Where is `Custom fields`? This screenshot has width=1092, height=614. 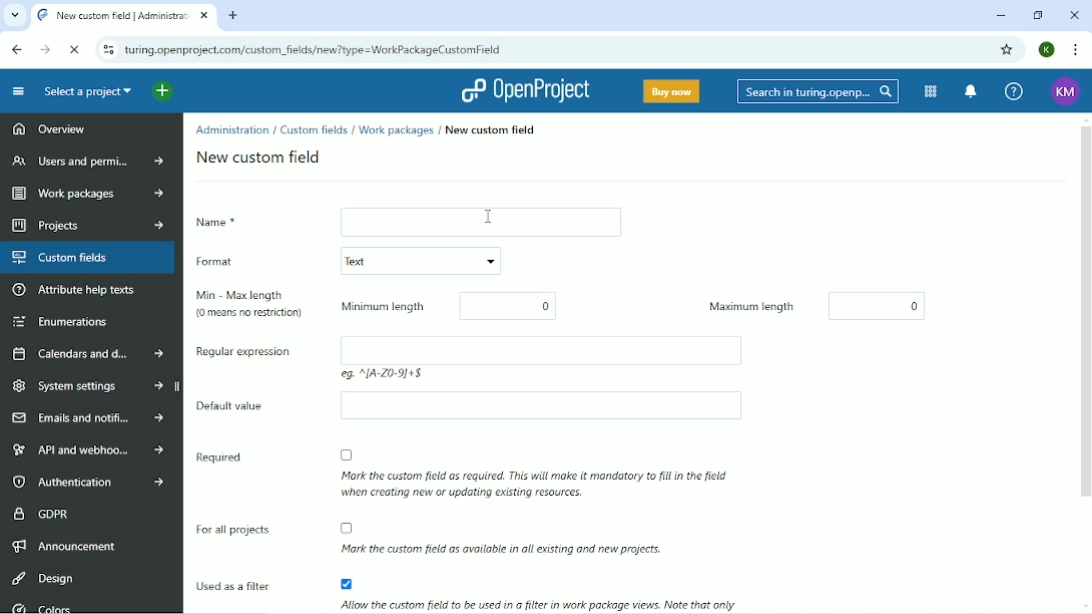
Custom fields is located at coordinates (314, 129).